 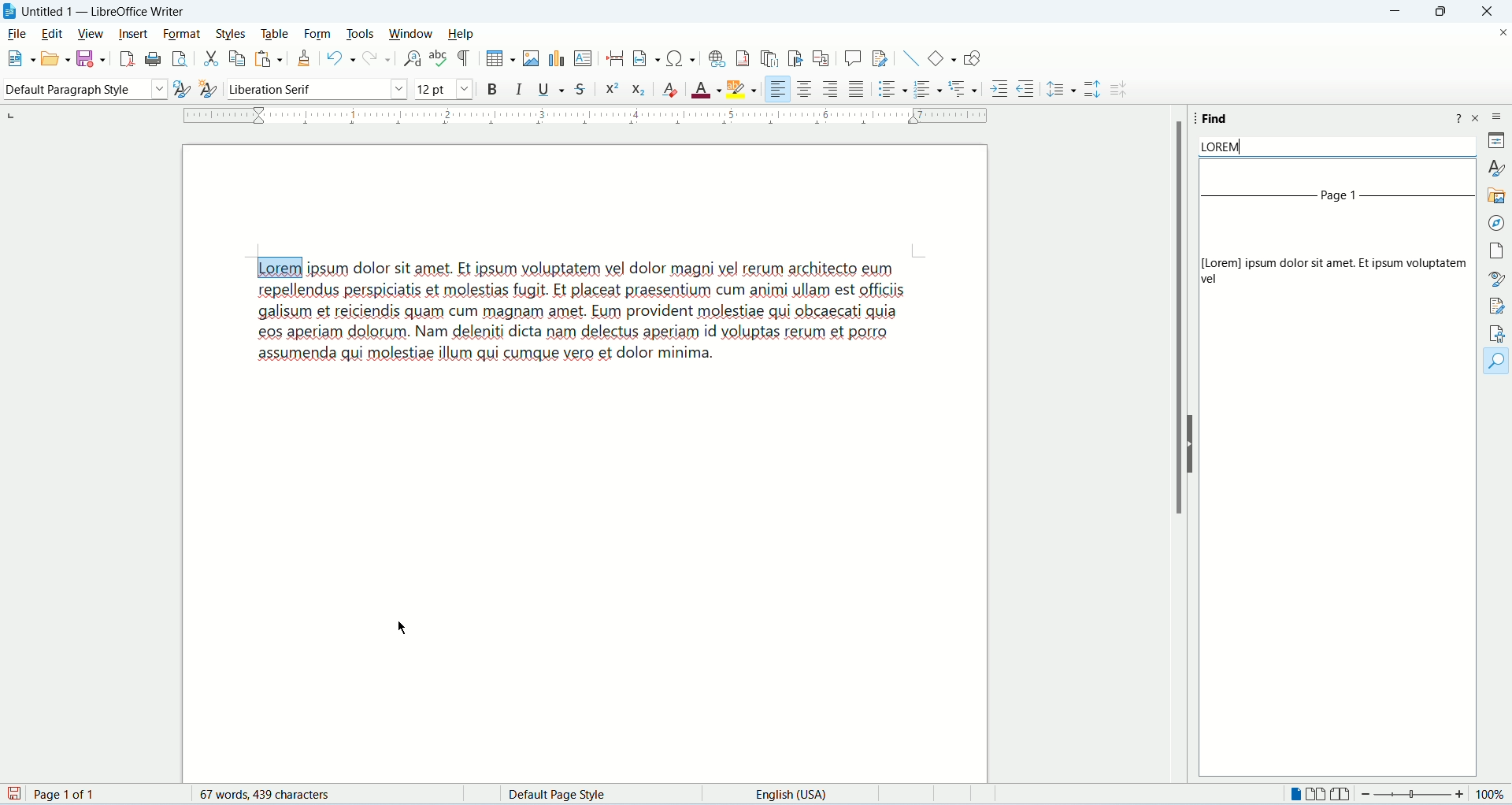 What do you see at coordinates (52, 58) in the screenshot?
I see `open` at bounding box center [52, 58].